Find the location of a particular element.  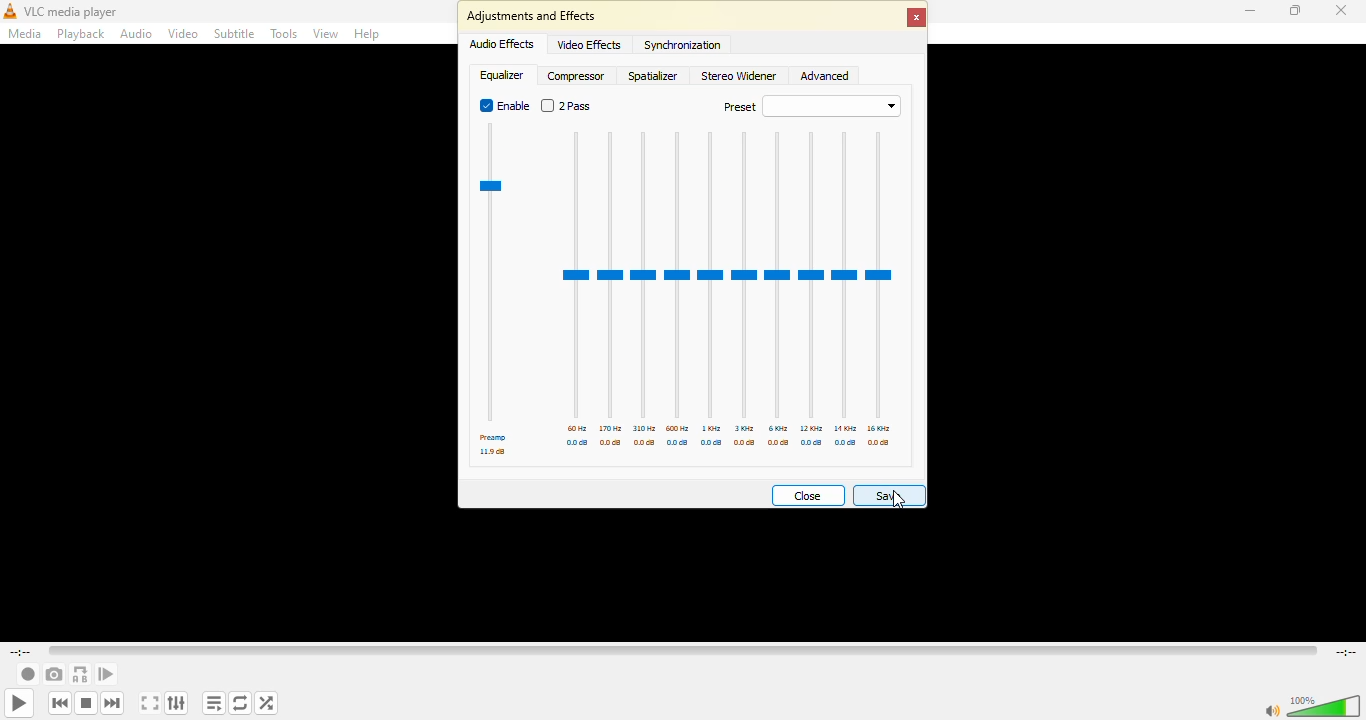

mute is located at coordinates (1269, 712).